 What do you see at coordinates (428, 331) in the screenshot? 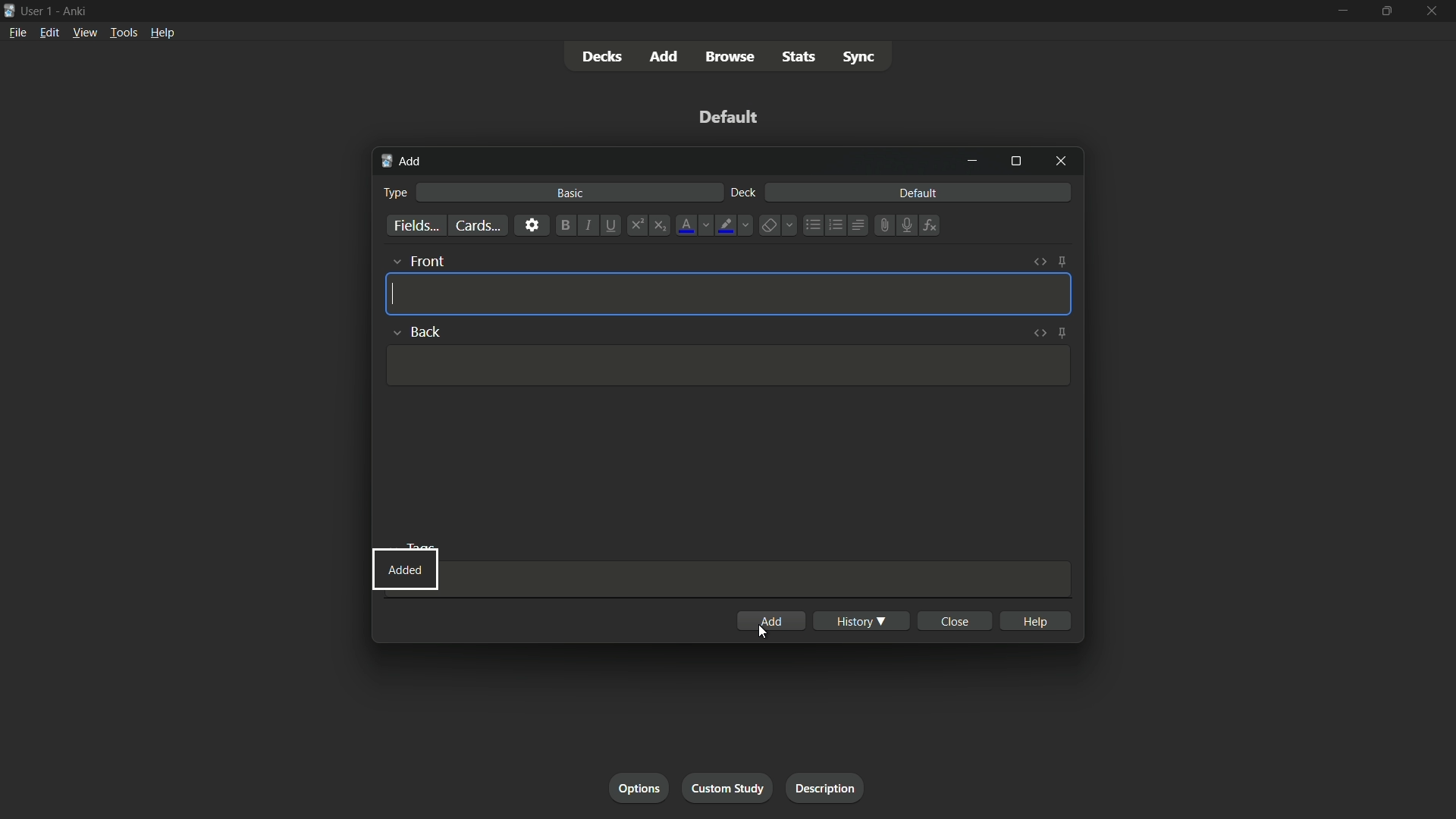
I see `back` at bounding box center [428, 331].